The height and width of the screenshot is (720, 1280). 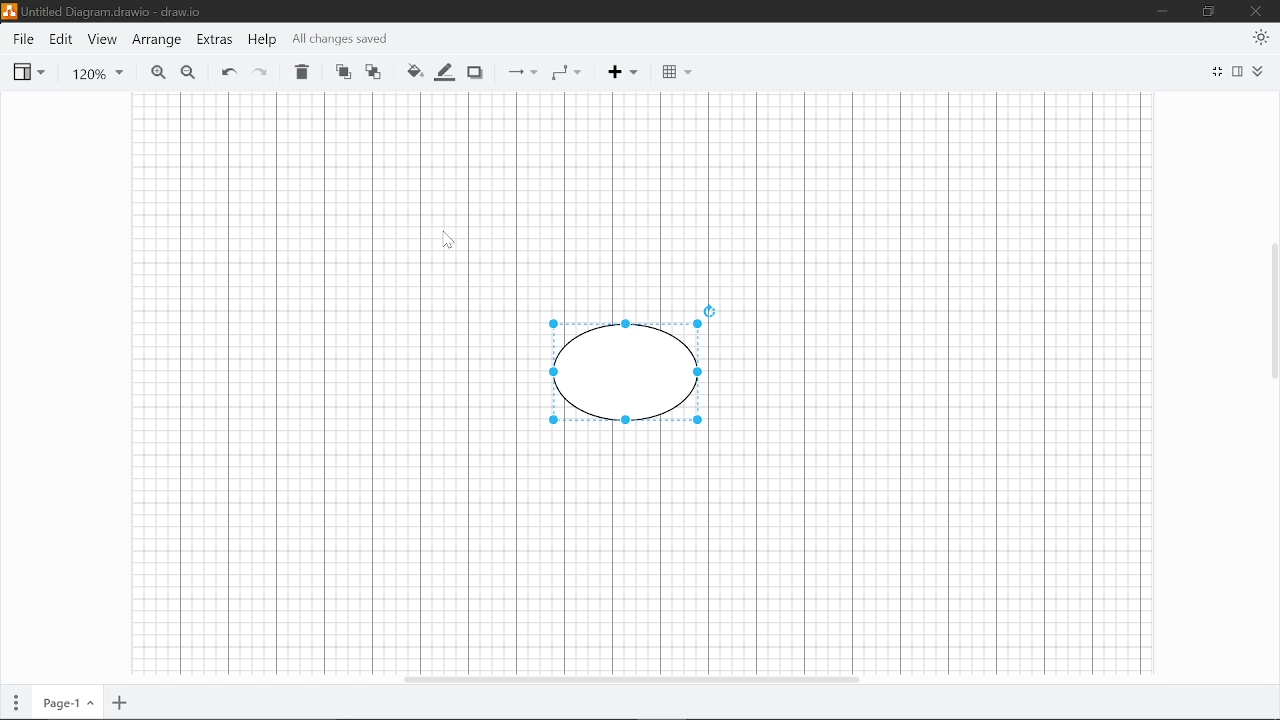 I want to click on Horizontal scrolbar, so click(x=630, y=681).